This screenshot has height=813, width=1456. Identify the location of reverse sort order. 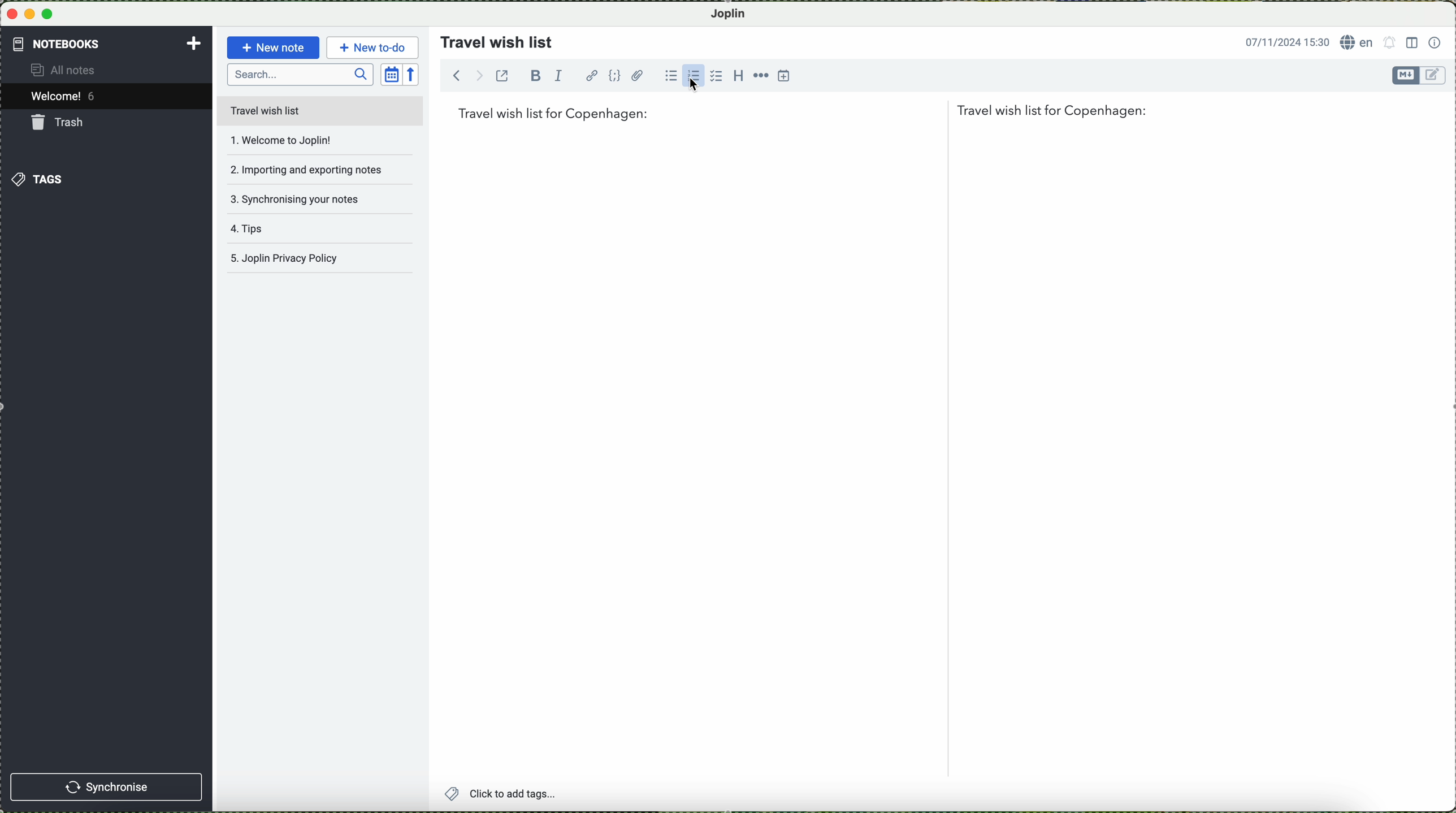
(414, 73).